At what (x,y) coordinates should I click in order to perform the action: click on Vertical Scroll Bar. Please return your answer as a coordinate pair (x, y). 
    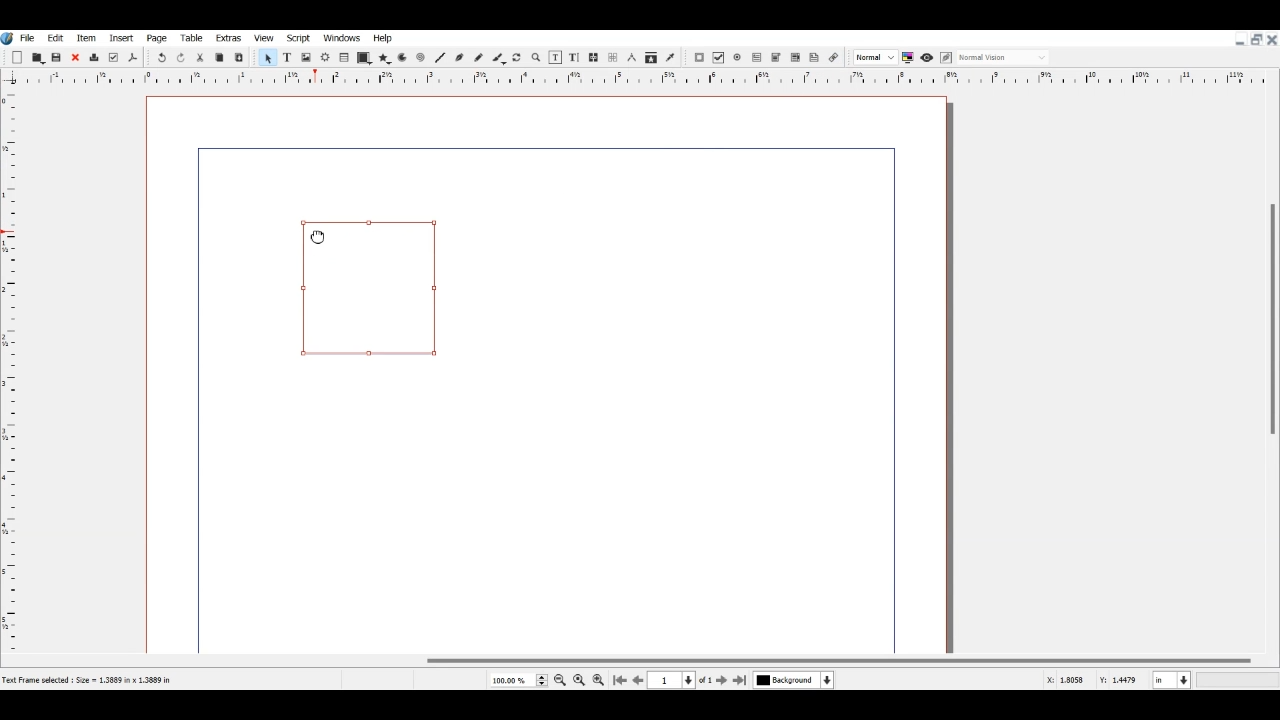
    Looking at the image, I should click on (1271, 360).